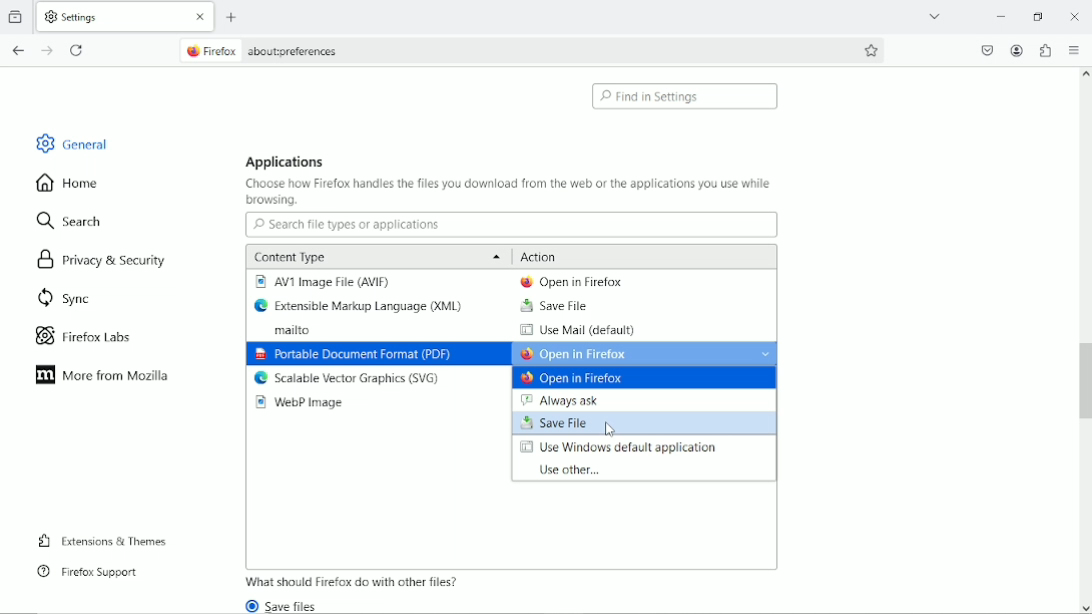 The width and height of the screenshot is (1092, 614). Describe the element at coordinates (326, 282) in the screenshot. I see `AV1 Image File` at that location.